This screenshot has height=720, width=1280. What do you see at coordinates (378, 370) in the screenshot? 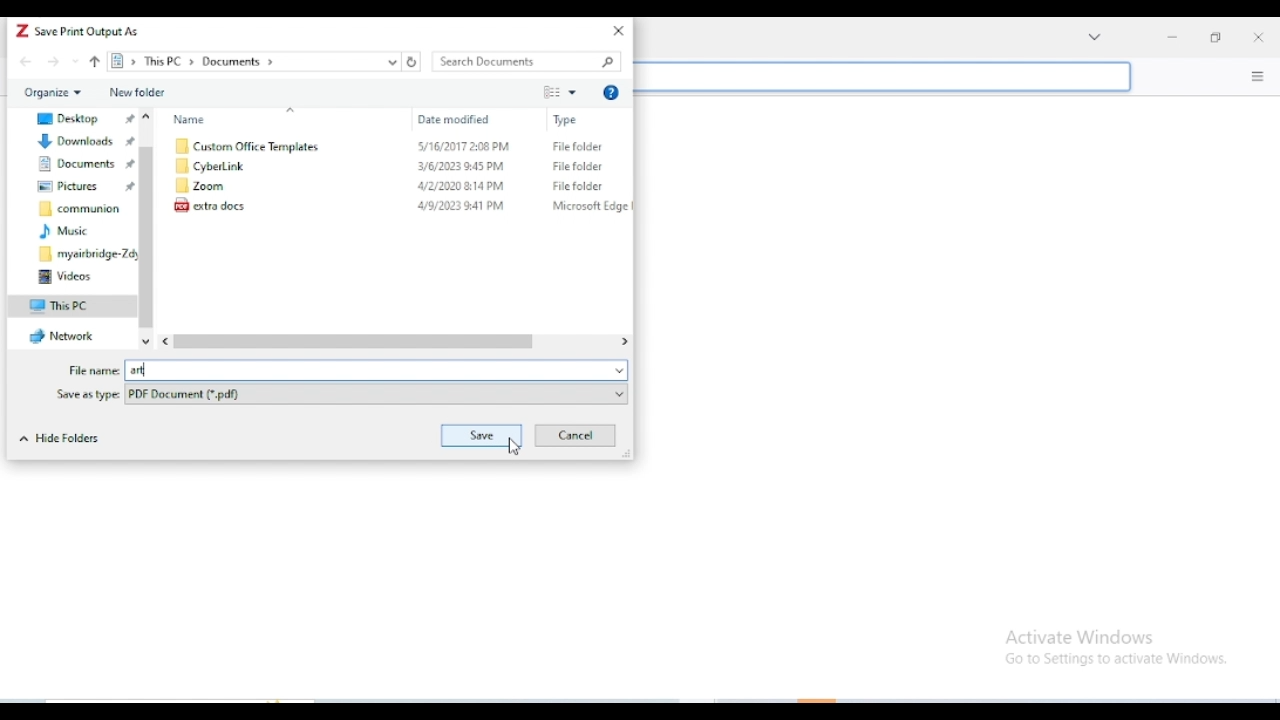
I see `art` at bounding box center [378, 370].